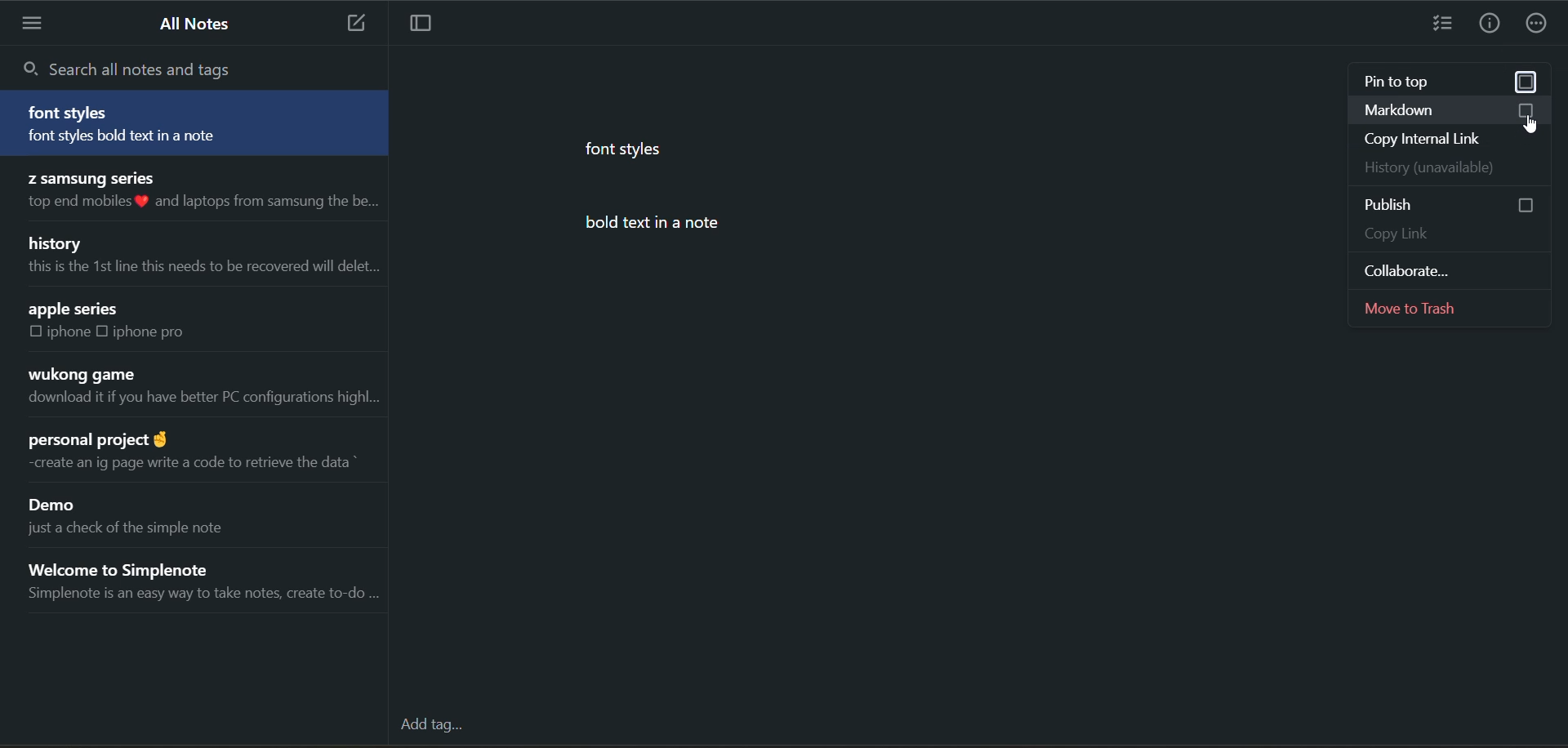 The image size is (1568, 748). What do you see at coordinates (350, 24) in the screenshot?
I see `add new note` at bounding box center [350, 24].